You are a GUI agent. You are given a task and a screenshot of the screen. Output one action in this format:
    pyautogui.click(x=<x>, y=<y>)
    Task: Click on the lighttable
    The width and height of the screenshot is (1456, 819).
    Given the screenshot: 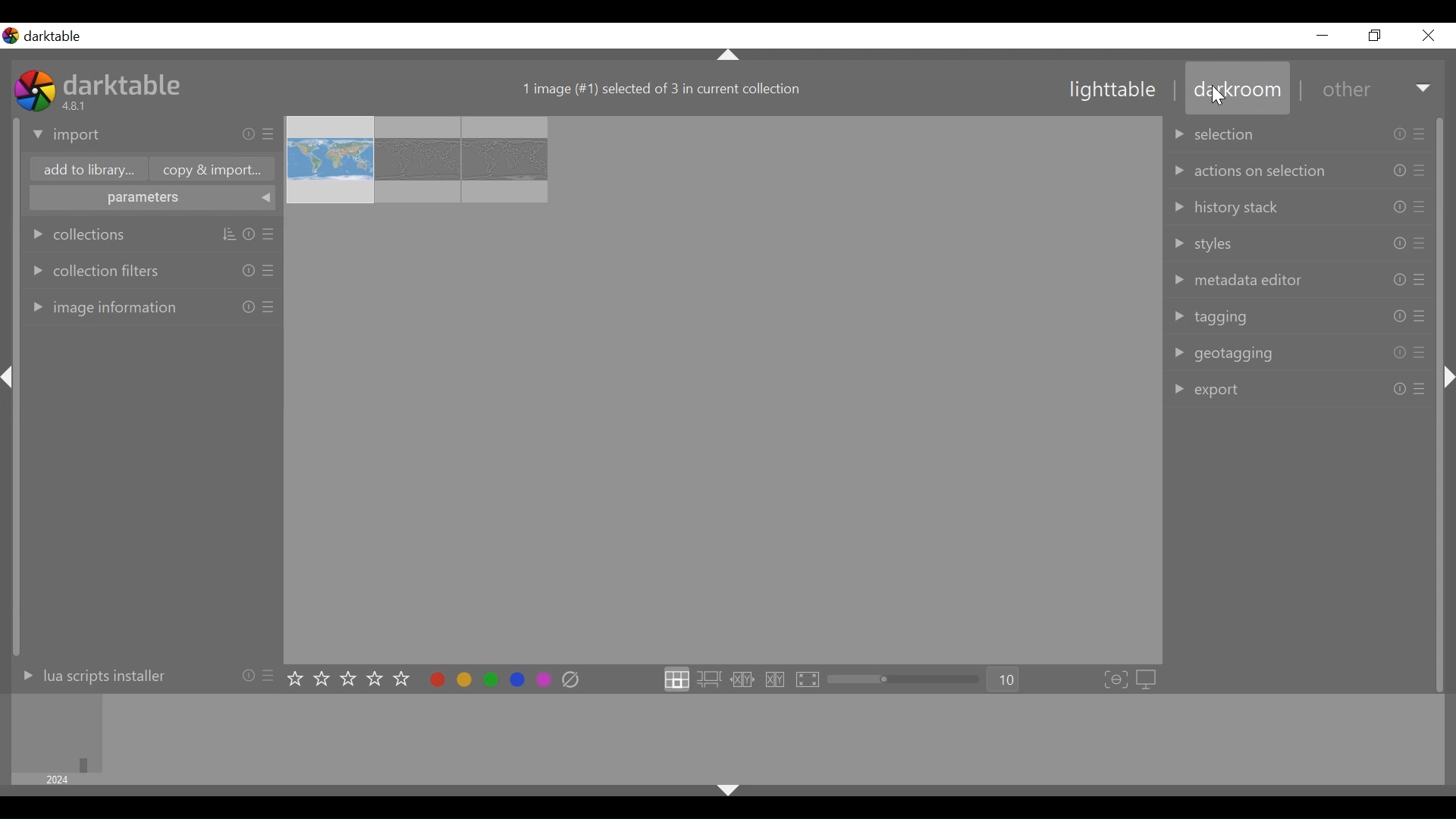 What is the action you would take?
    pyautogui.click(x=1116, y=91)
    